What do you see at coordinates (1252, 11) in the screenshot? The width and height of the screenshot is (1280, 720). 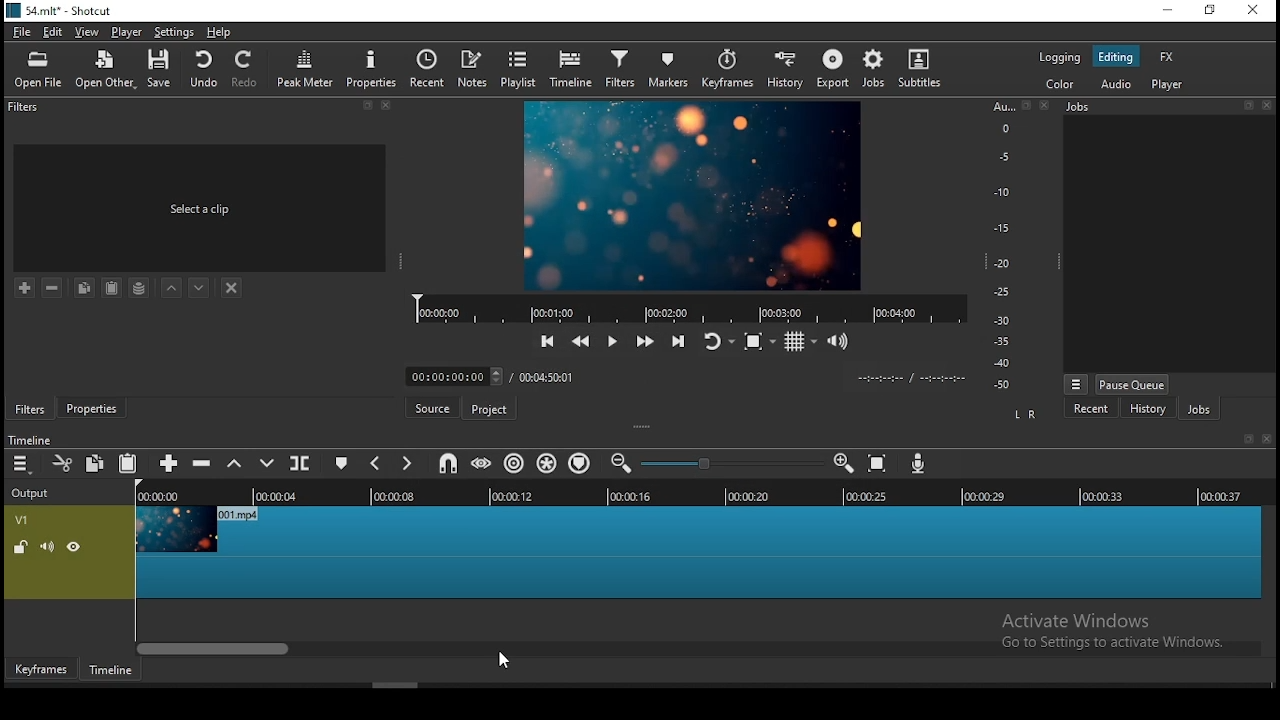 I see `close window` at bounding box center [1252, 11].